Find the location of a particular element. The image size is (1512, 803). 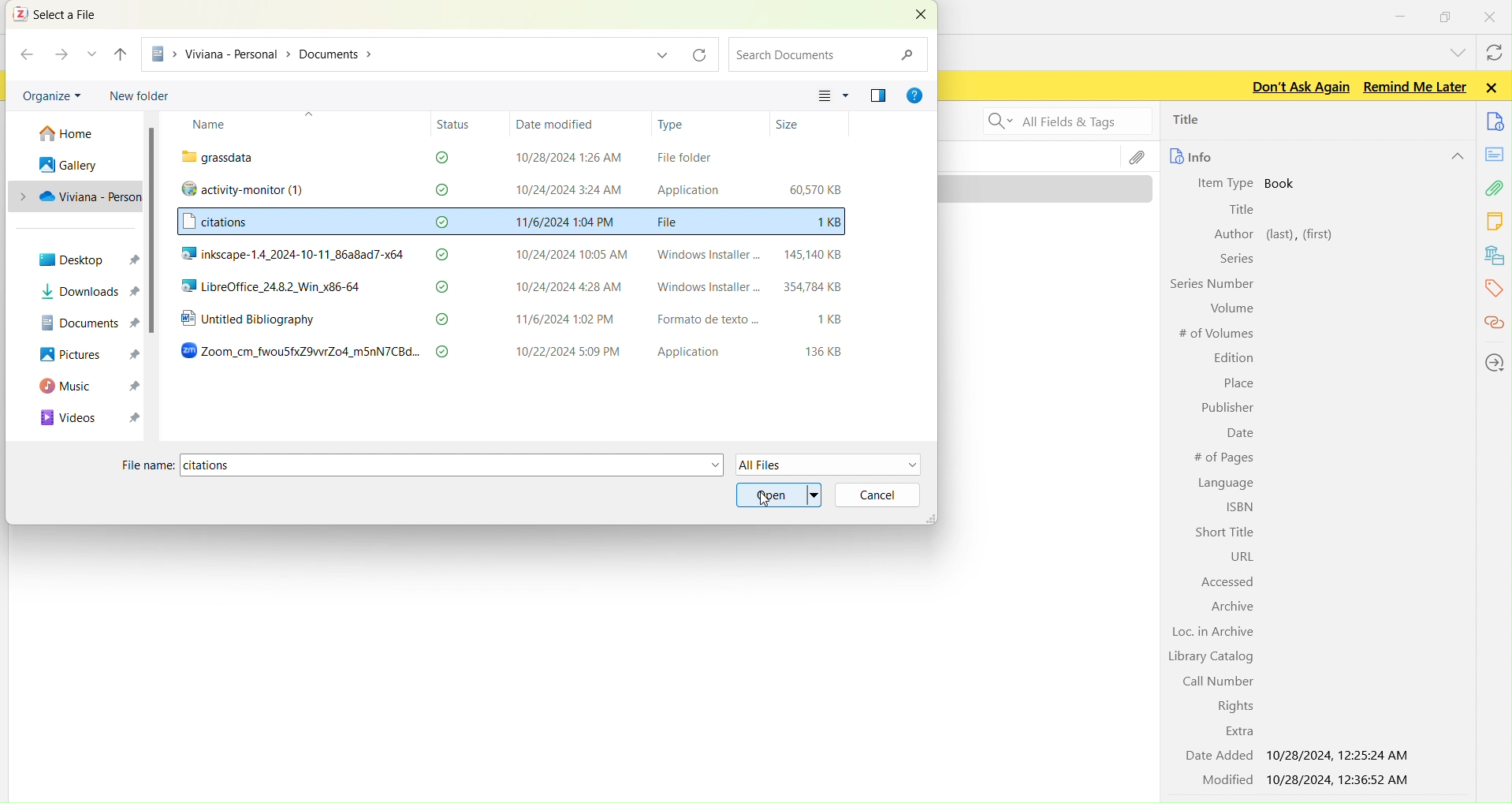

File folder is located at coordinates (680, 157).